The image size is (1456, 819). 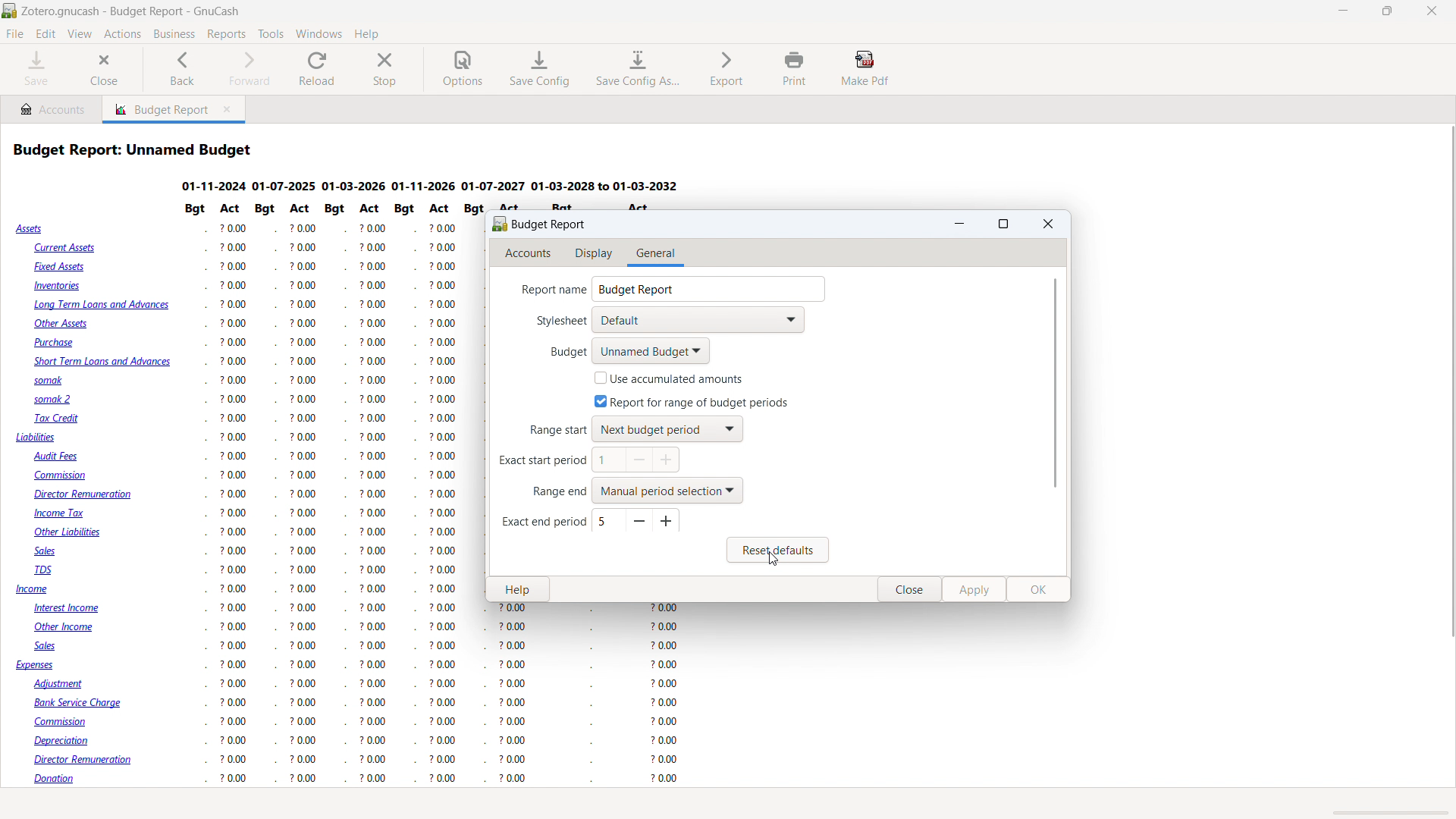 What do you see at coordinates (385, 69) in the screenshot?
I see `stop` at bounding box center [385, 69].